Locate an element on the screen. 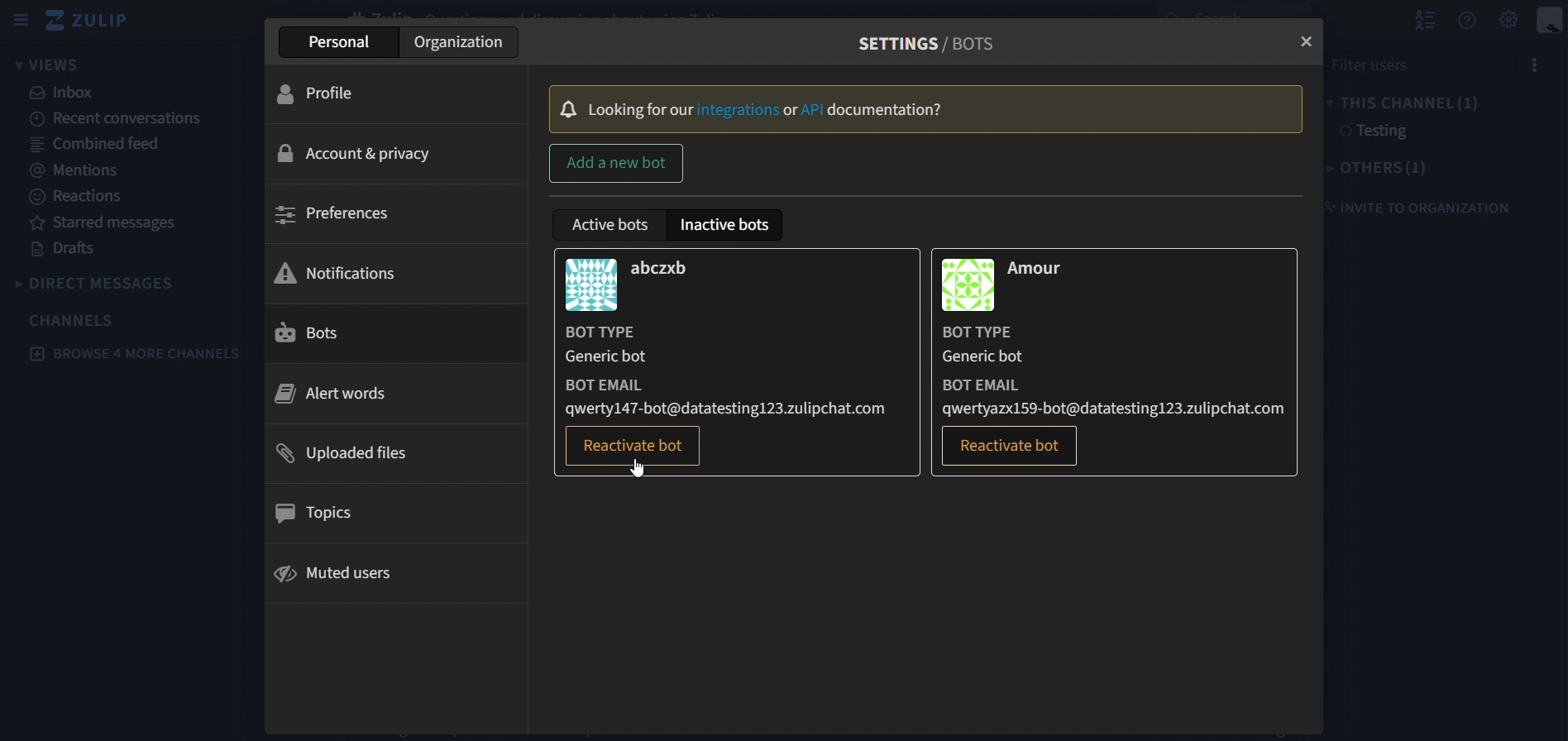 The width and height of the screenshot is (1568, 741). channels is located at coordinates (74, 320).